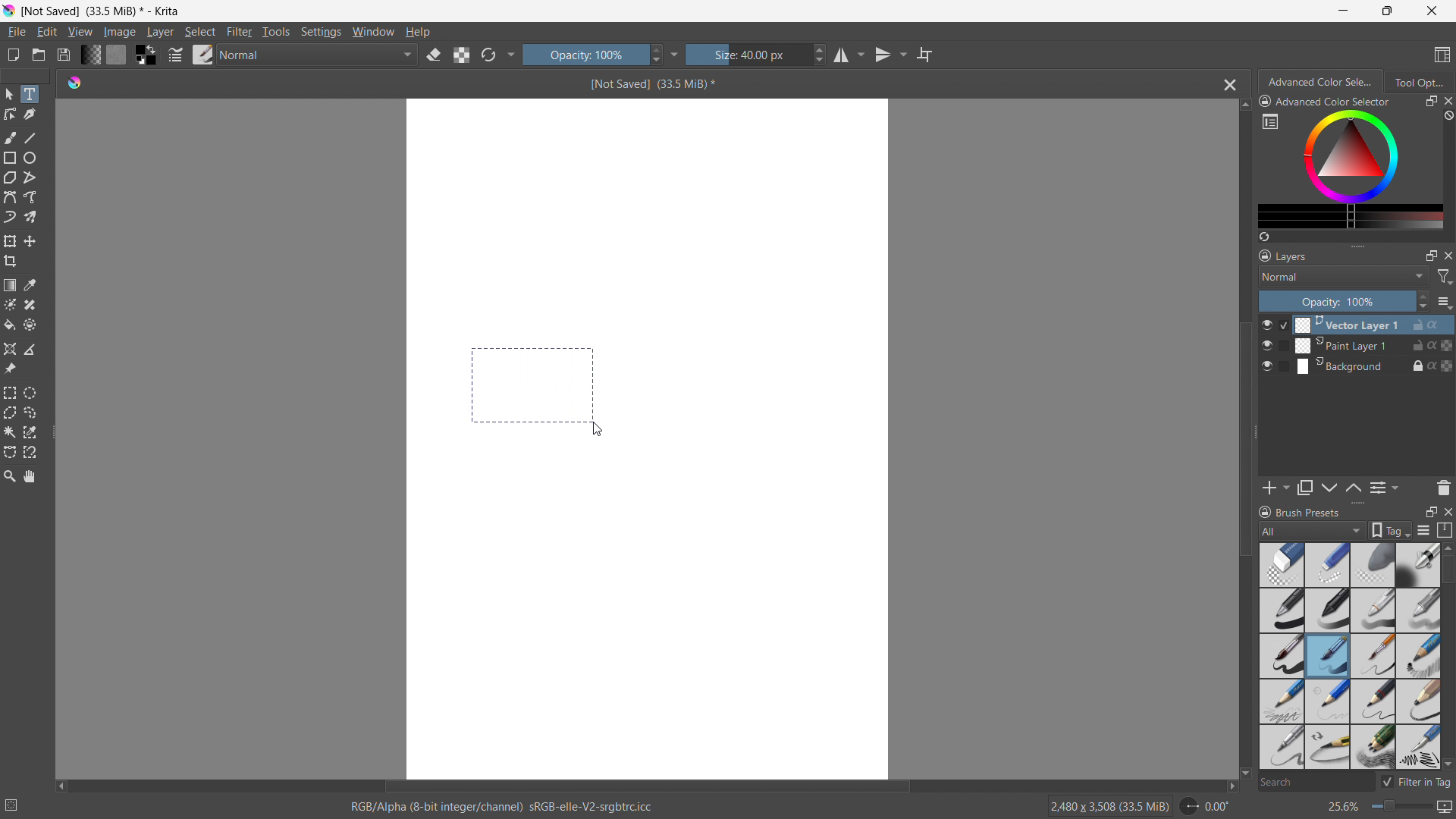 The image size is (1456, 819). What do you see at coordinates (30, 453) in the screenshot?
I see `magnetic curve selection tool` at bounding box center [30, 453].